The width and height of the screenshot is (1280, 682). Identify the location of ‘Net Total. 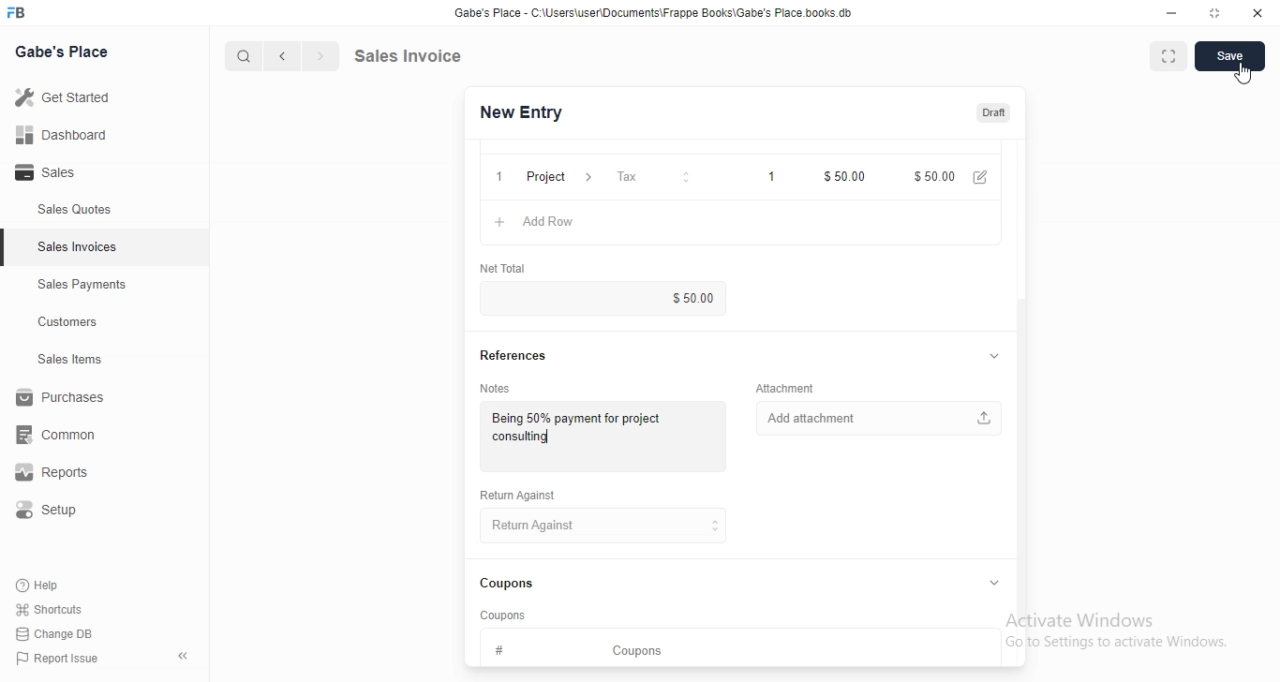
(505, 268).